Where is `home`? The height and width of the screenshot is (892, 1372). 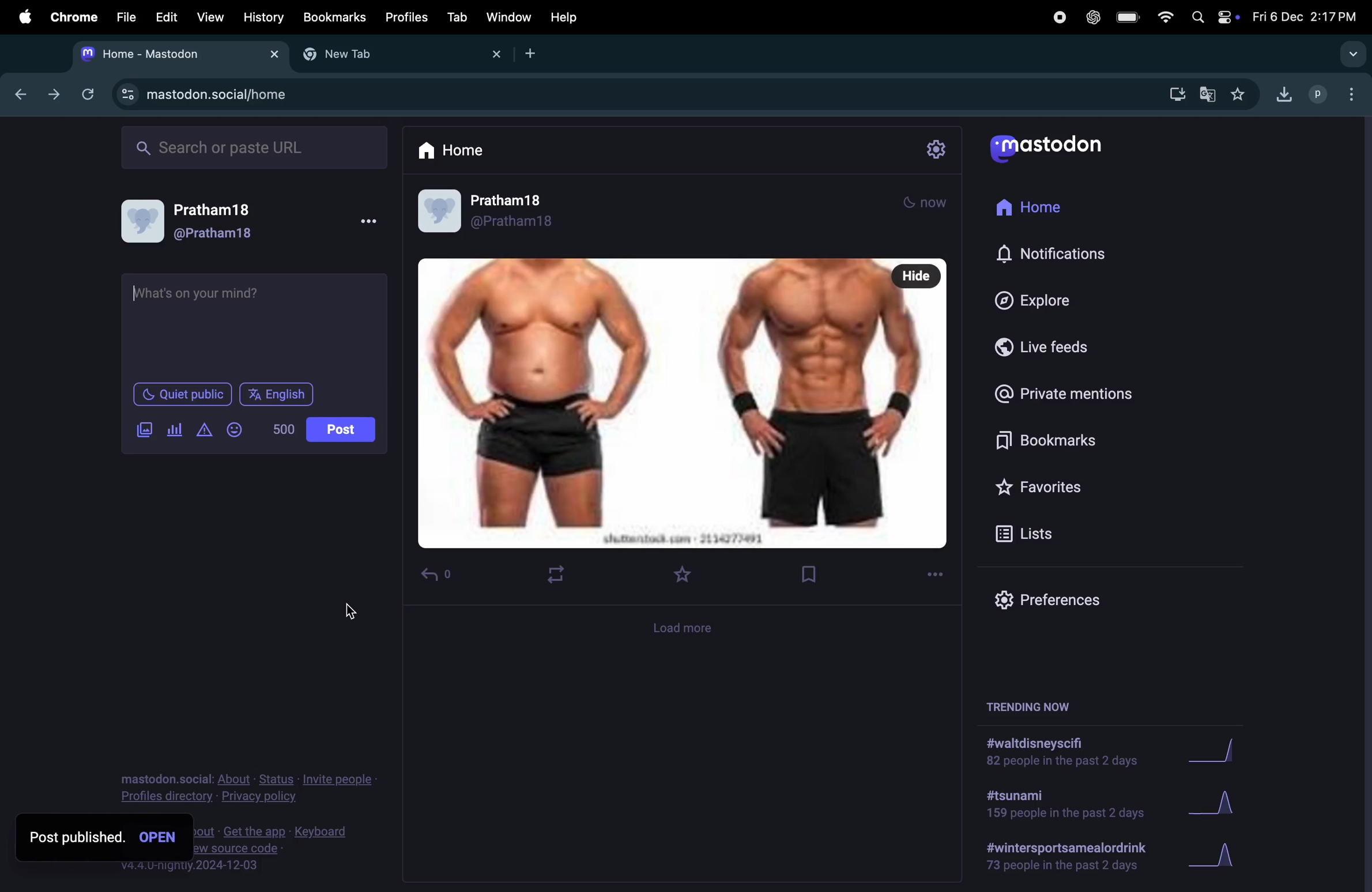
home is located at coordinates (1045, 212).